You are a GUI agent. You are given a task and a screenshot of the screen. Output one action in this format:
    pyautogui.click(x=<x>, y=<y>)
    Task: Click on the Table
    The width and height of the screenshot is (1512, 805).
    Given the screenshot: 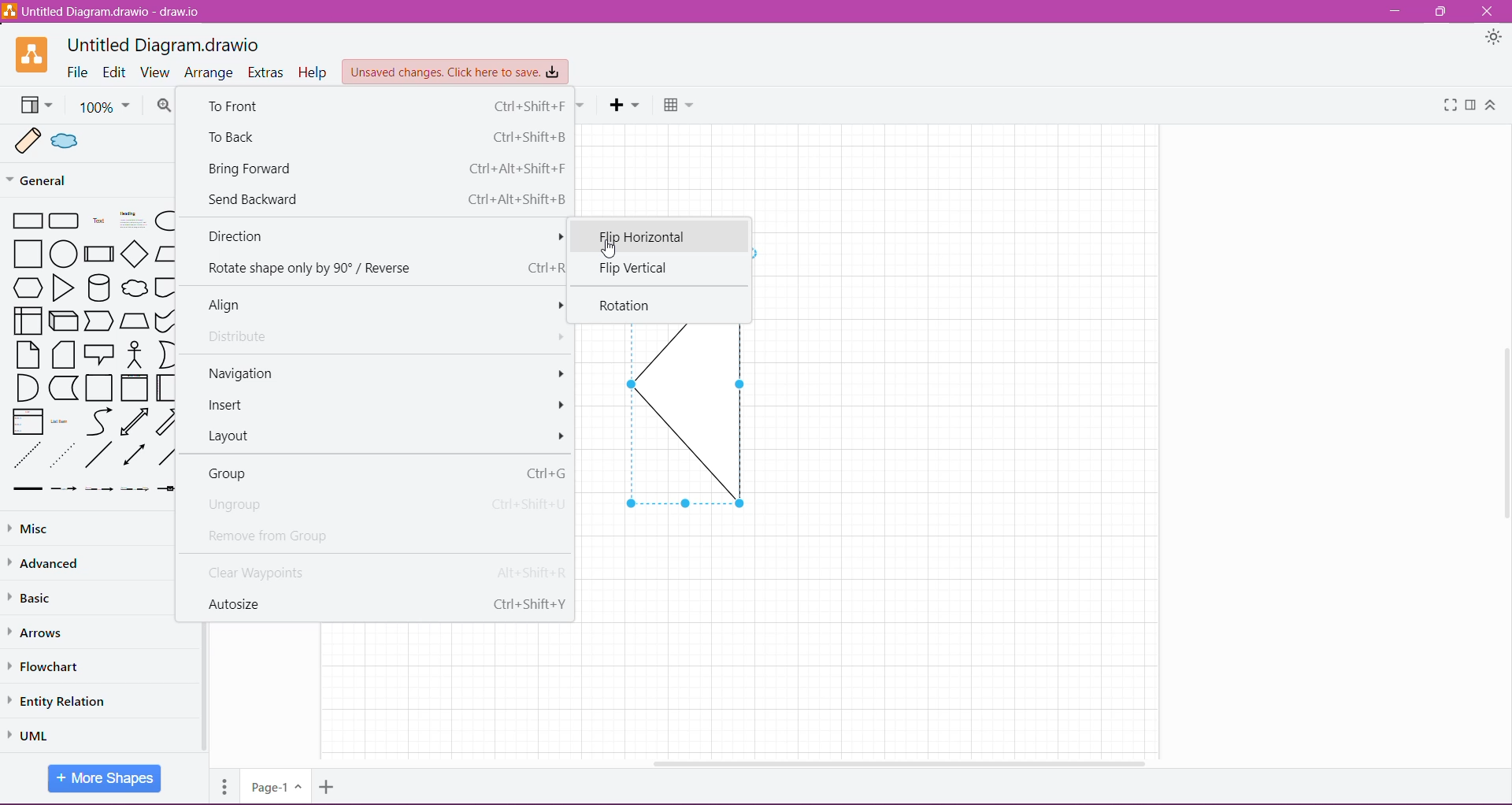 What is the action you would take?
    pyautogui.click(x=679, y=106)
    